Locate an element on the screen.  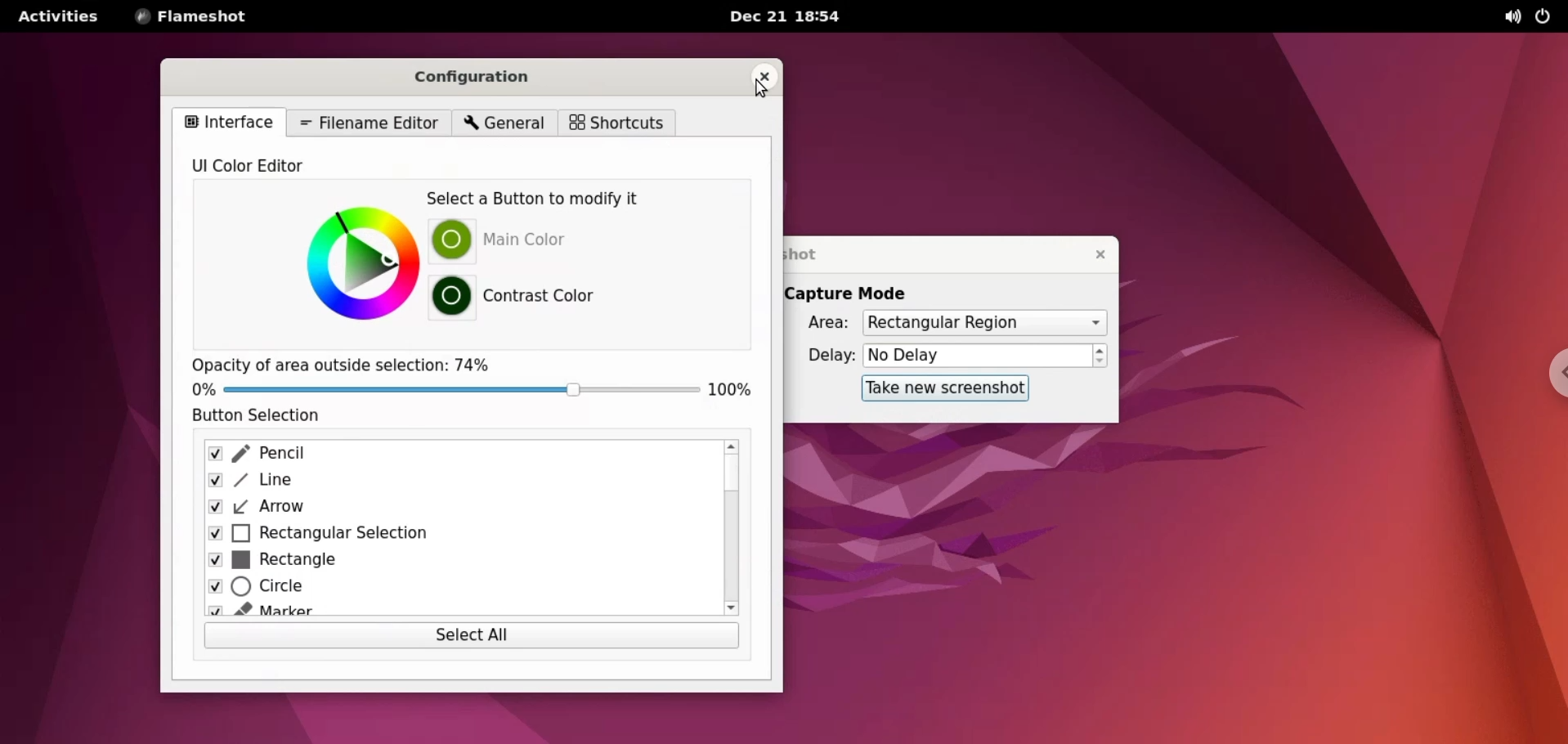
select all is located at coordinates (473, 639).